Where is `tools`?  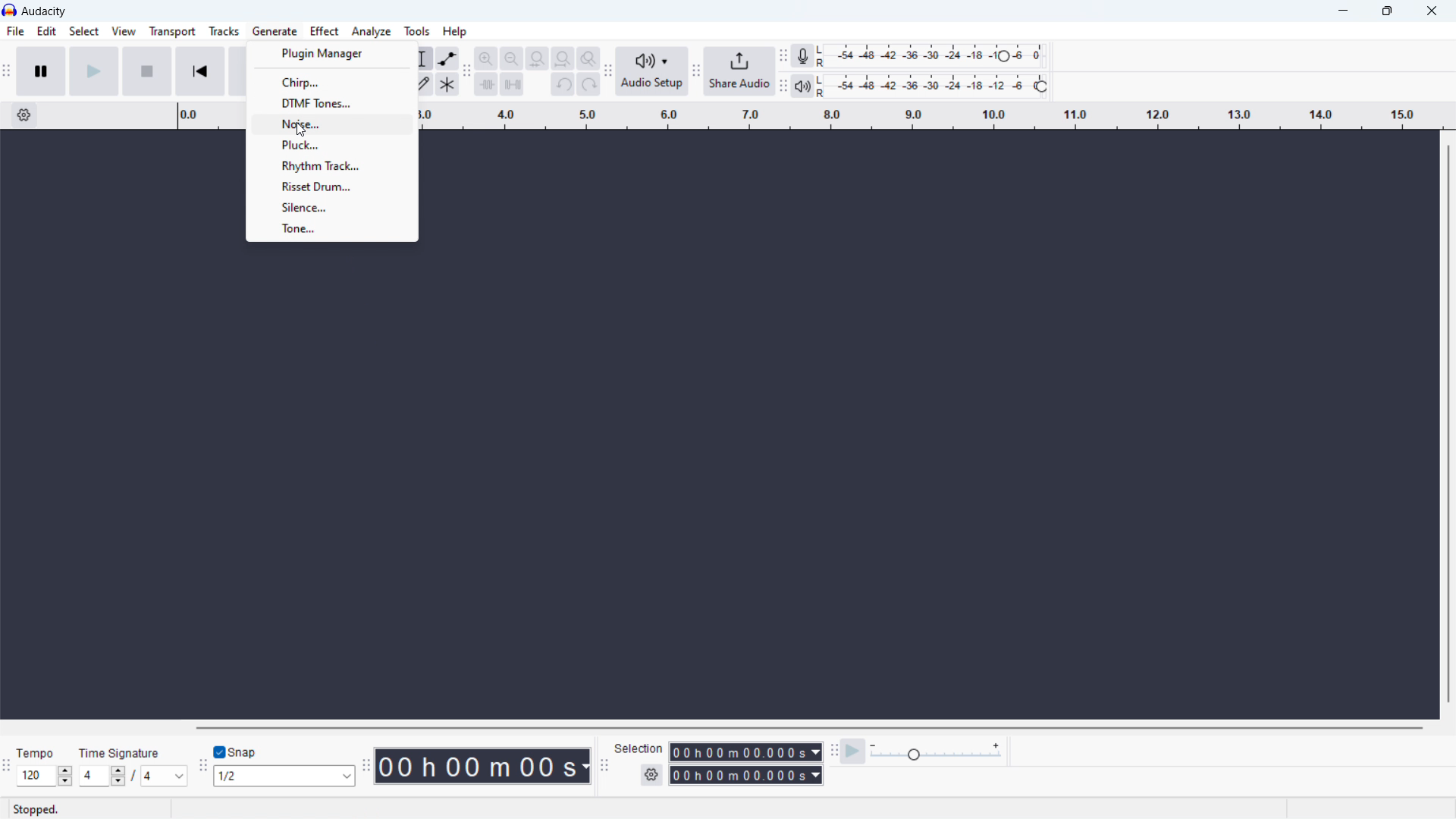 tools is located at coordinates (418, 30).